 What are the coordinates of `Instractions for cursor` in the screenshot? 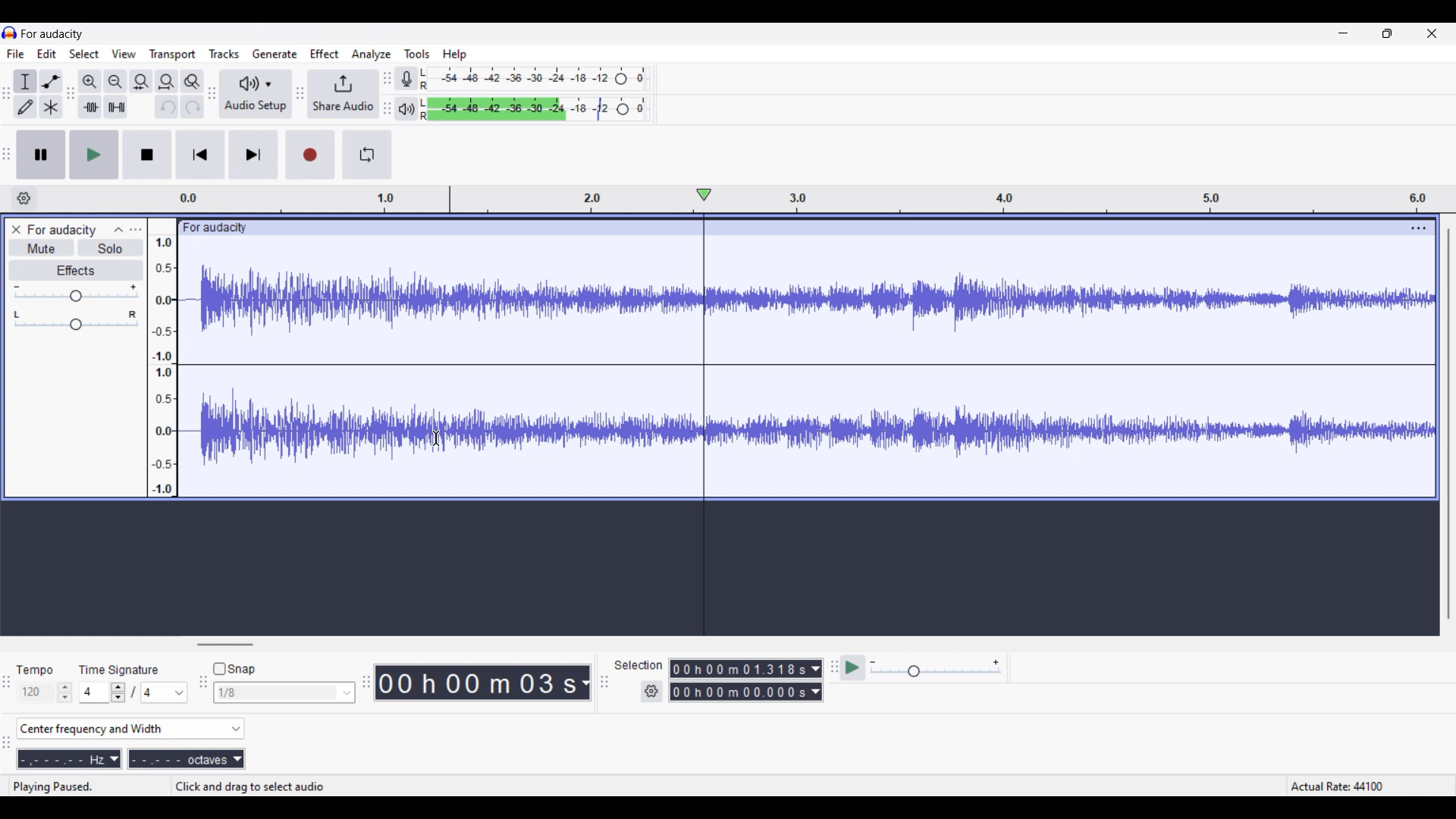 It's located at (253, 786).